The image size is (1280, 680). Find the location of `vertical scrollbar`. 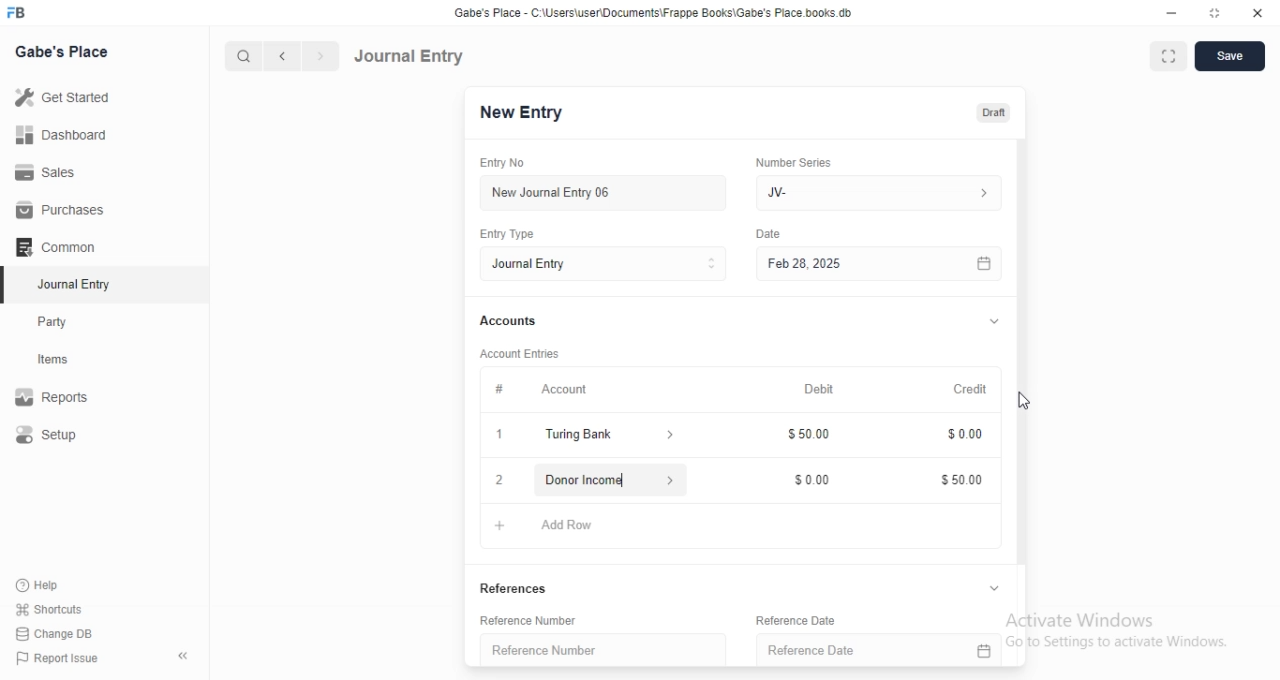

vertical scrollbar is located at coordinates (1022, 350).